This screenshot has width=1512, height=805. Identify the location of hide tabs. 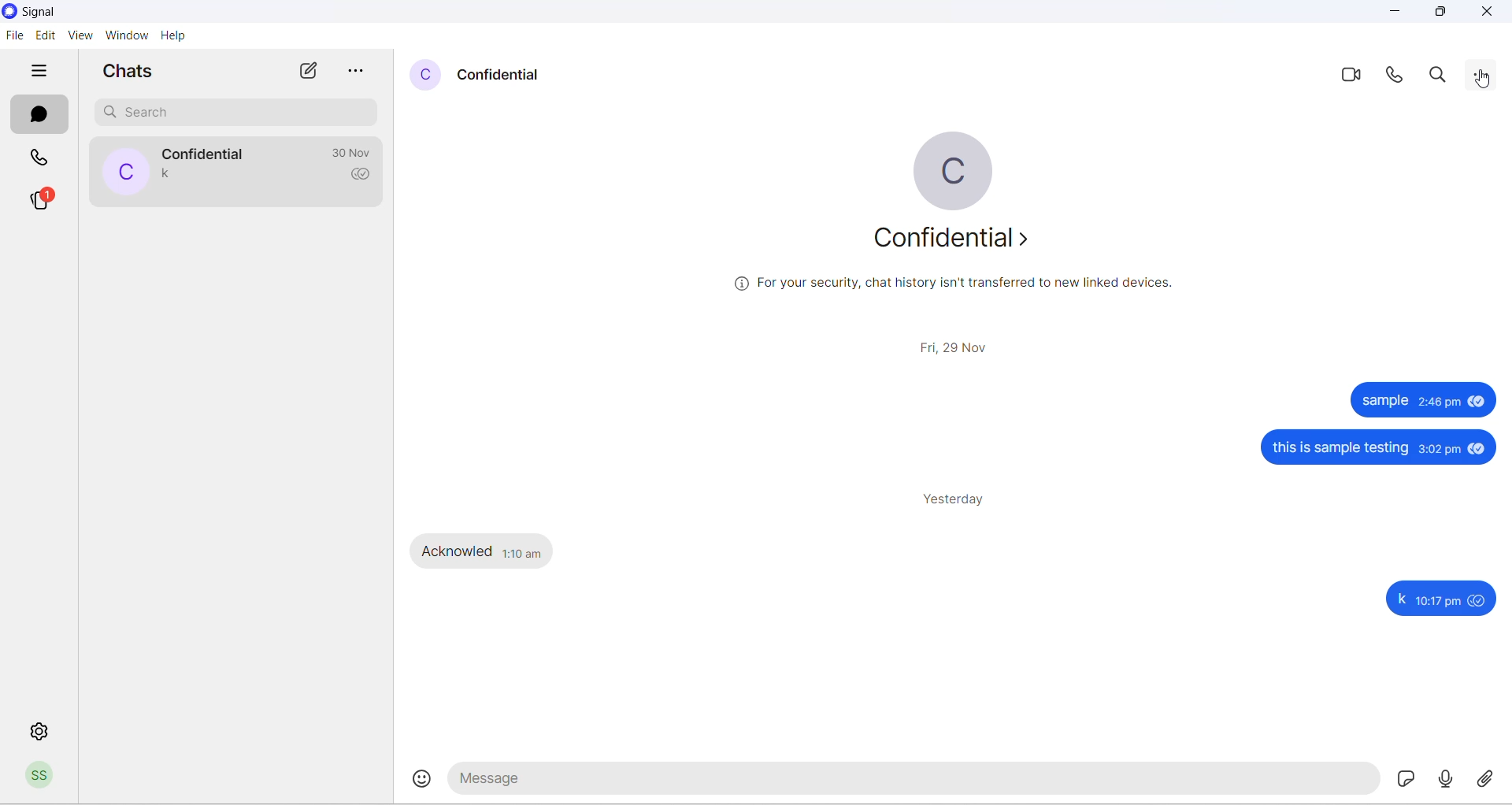
(36, 69).